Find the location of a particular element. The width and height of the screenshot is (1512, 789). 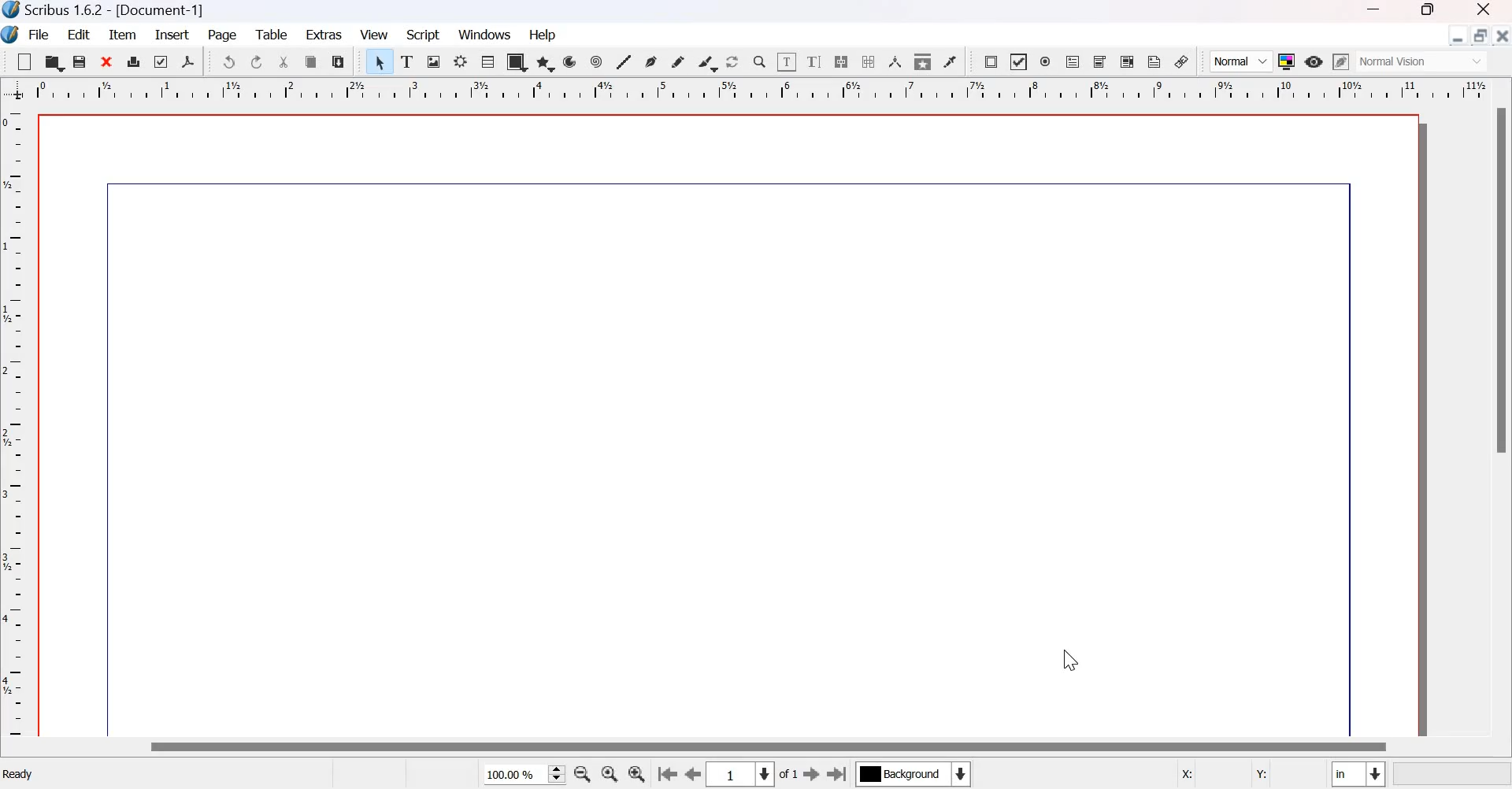

line is located at coordinates (624, 61).